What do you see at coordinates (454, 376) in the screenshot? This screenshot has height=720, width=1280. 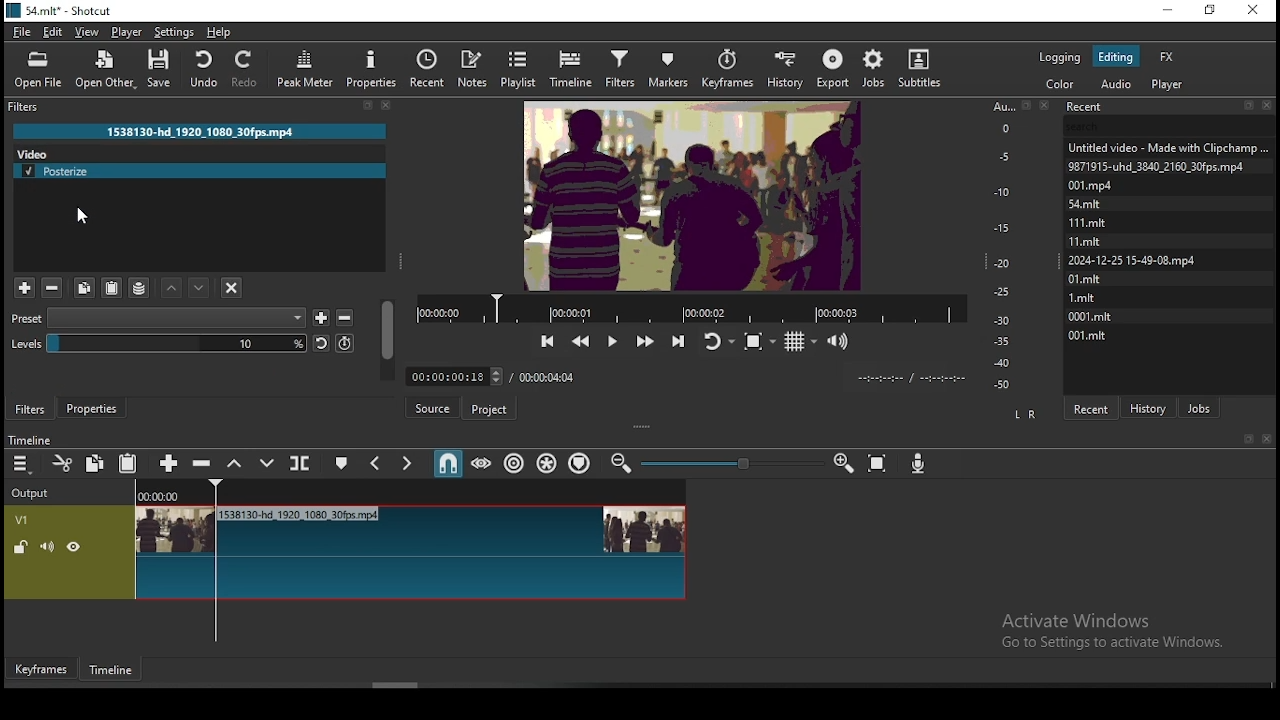 I see `elapsed time` at bounding box center [454, 376].